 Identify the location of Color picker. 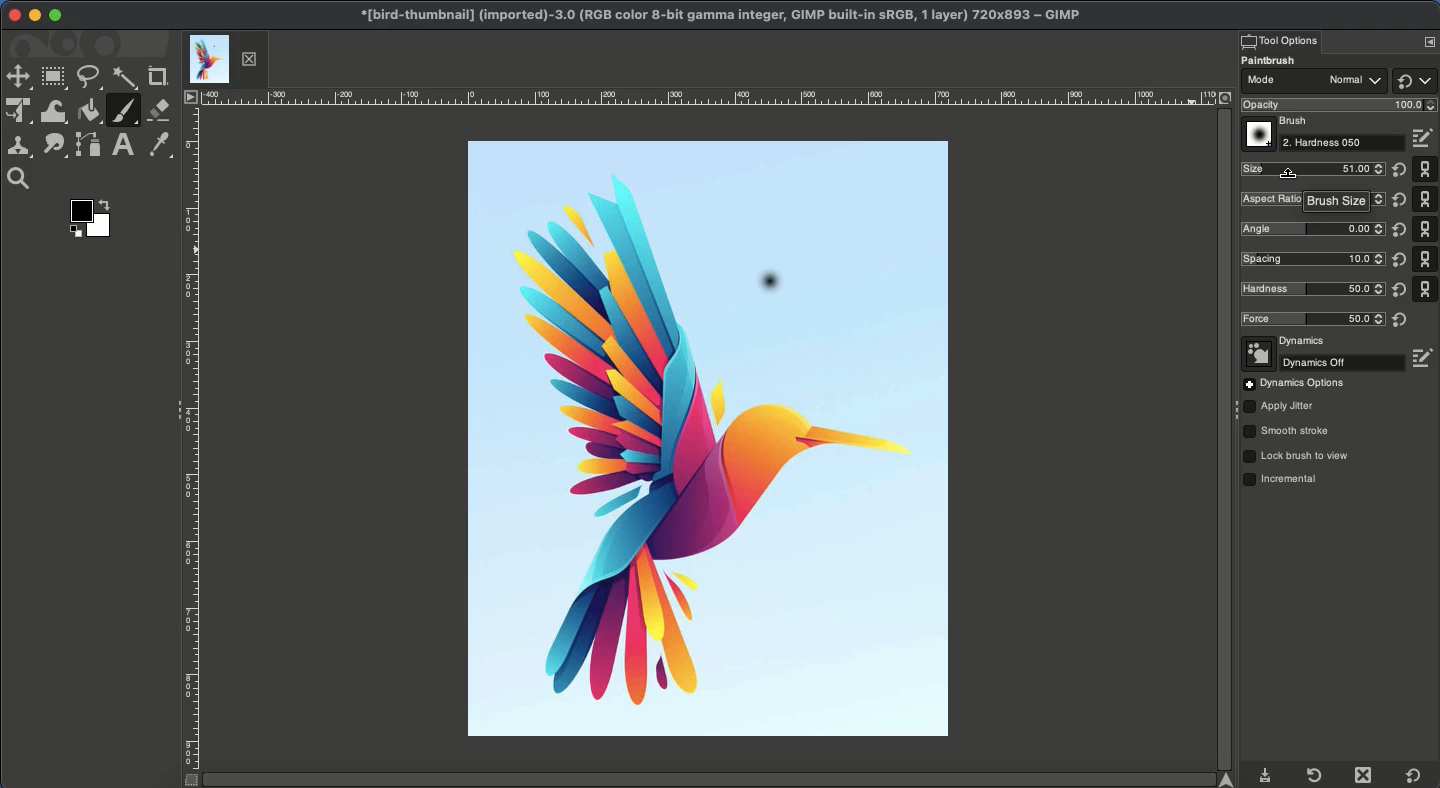
(157, 145).